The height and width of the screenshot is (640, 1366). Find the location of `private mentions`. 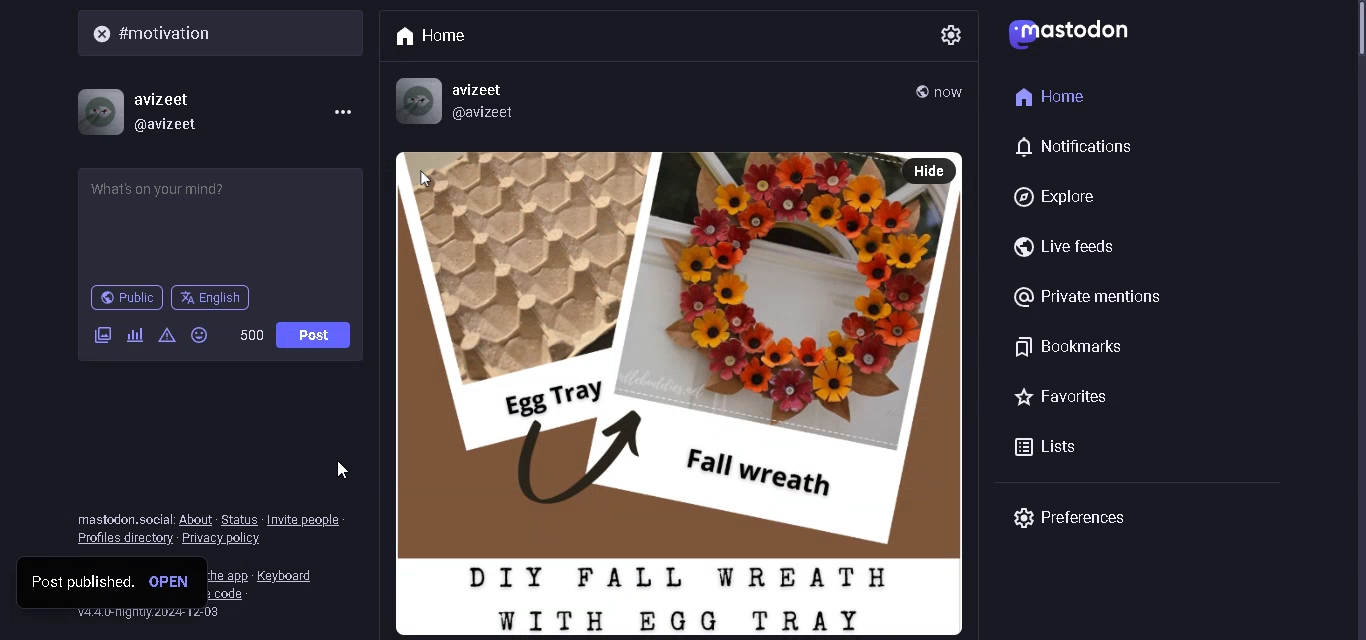

private mentions is located at coordinates (1092, 299).